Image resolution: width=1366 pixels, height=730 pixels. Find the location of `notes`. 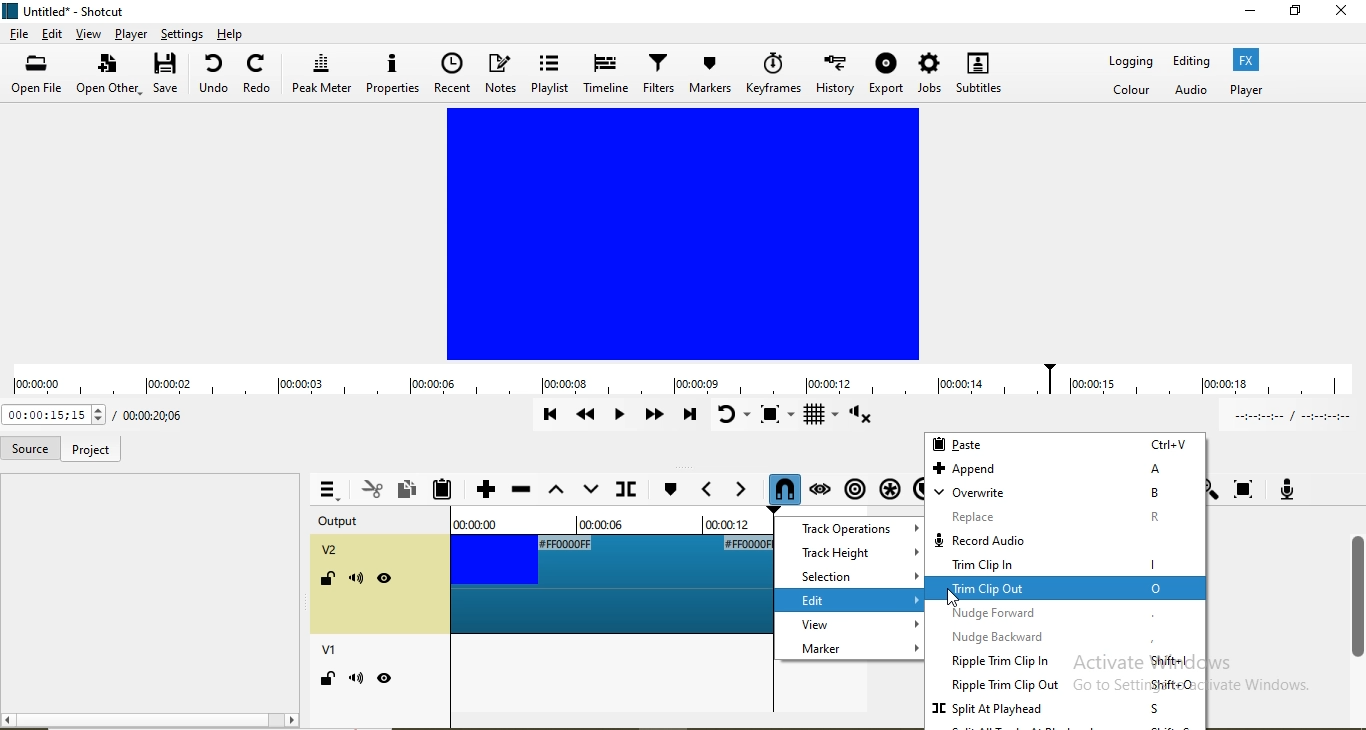

notes is located at coordinates (503, 75).